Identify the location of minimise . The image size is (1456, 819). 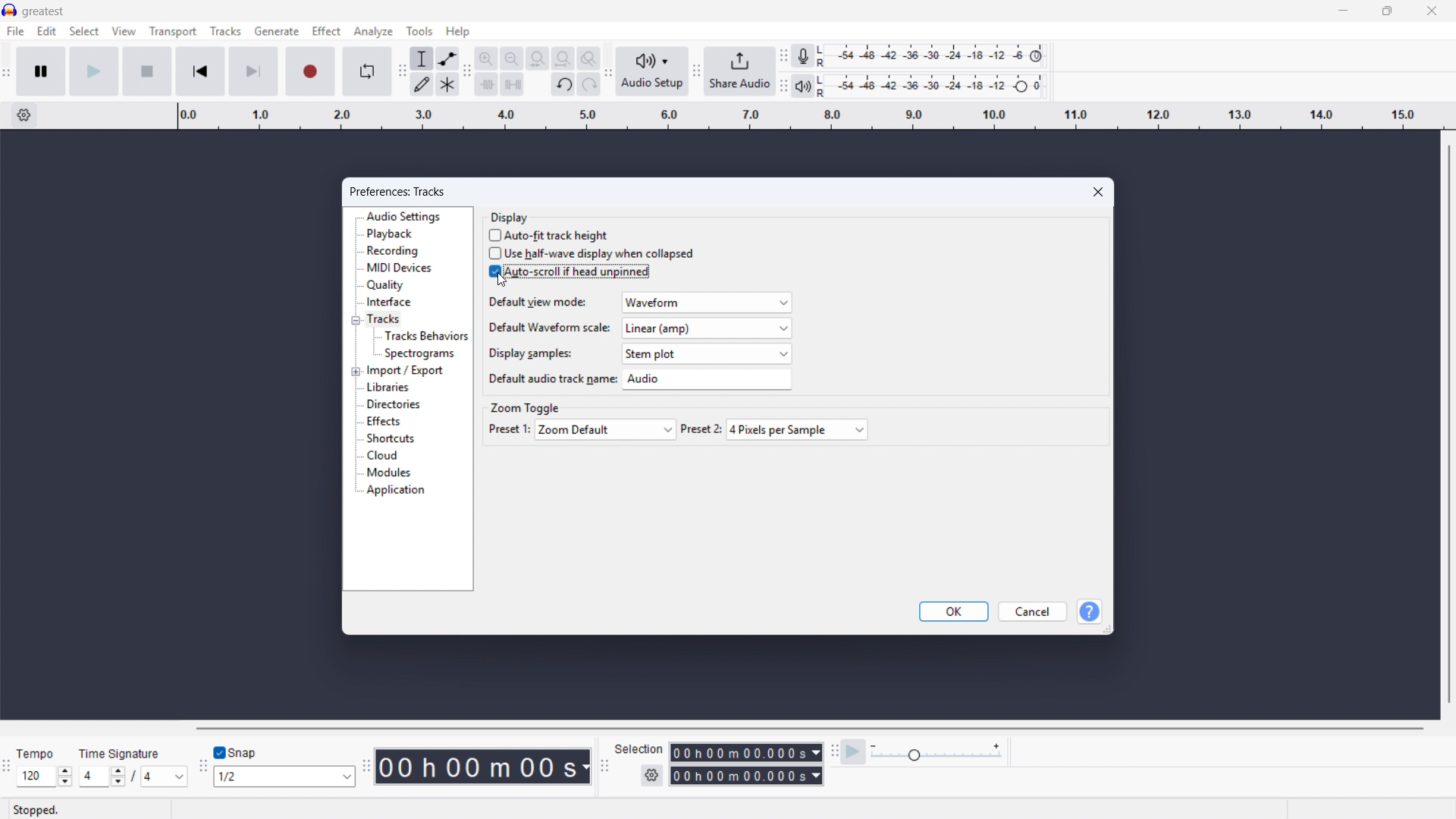
(1344, 11).